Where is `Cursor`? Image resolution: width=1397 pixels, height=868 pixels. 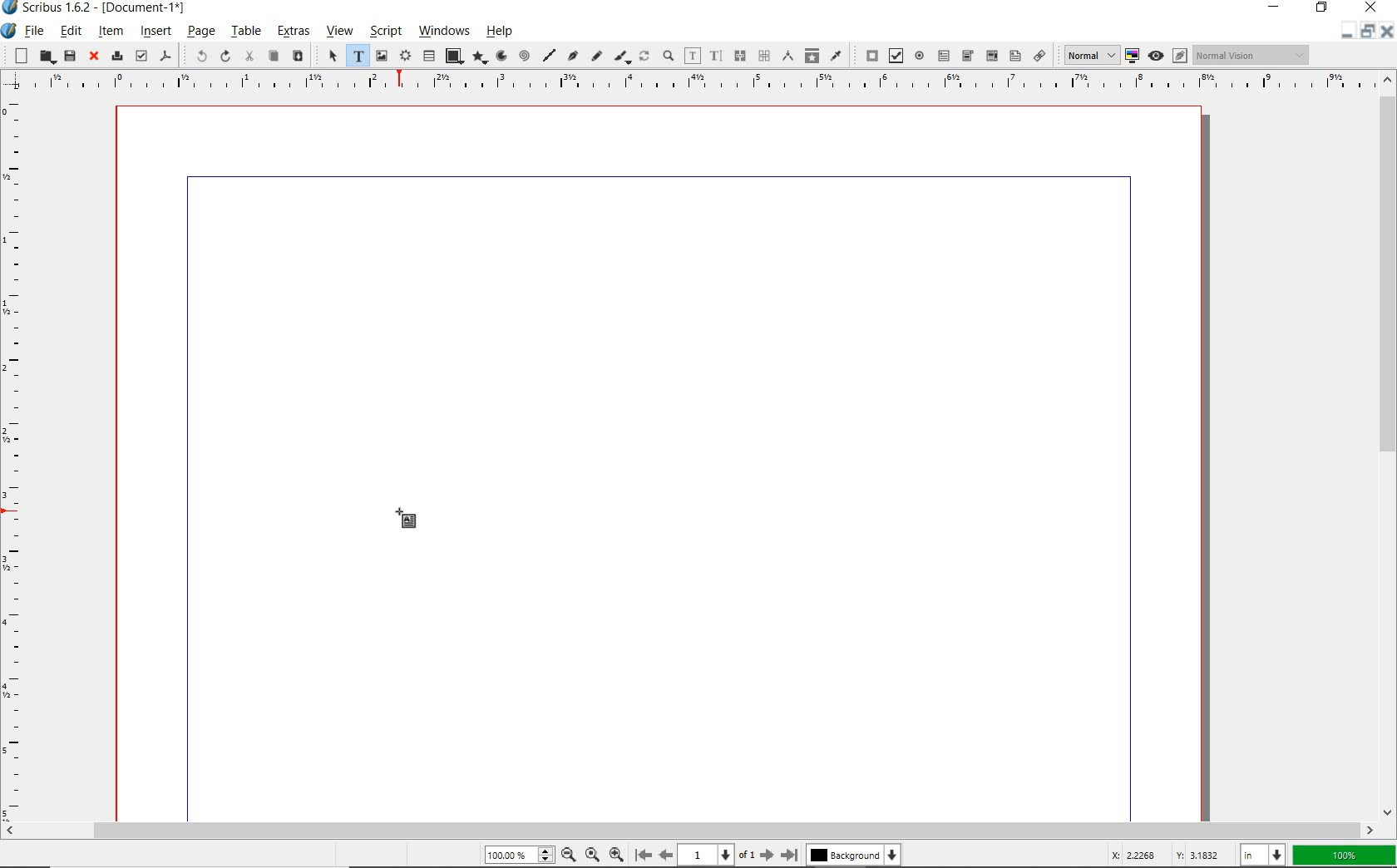 Cursor is located at coordinates (407, 520).